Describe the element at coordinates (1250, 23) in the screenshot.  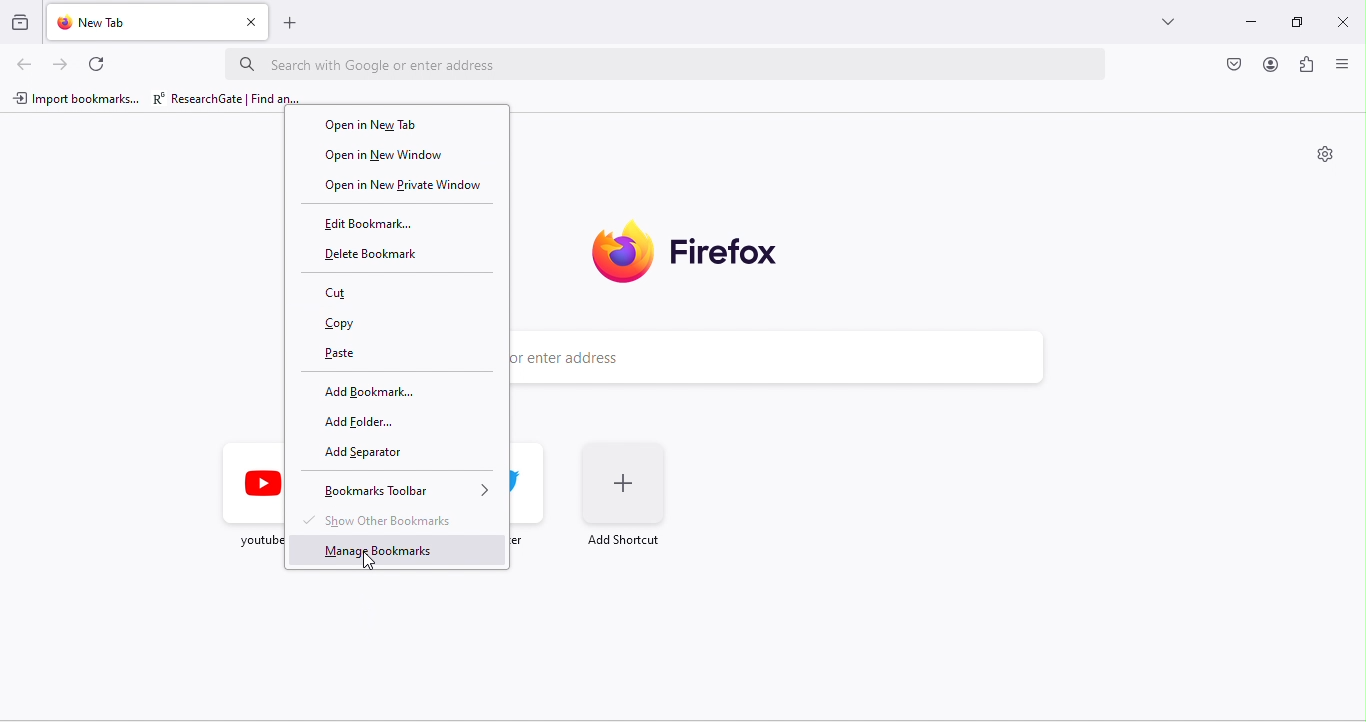
I see `minimize` at that location.